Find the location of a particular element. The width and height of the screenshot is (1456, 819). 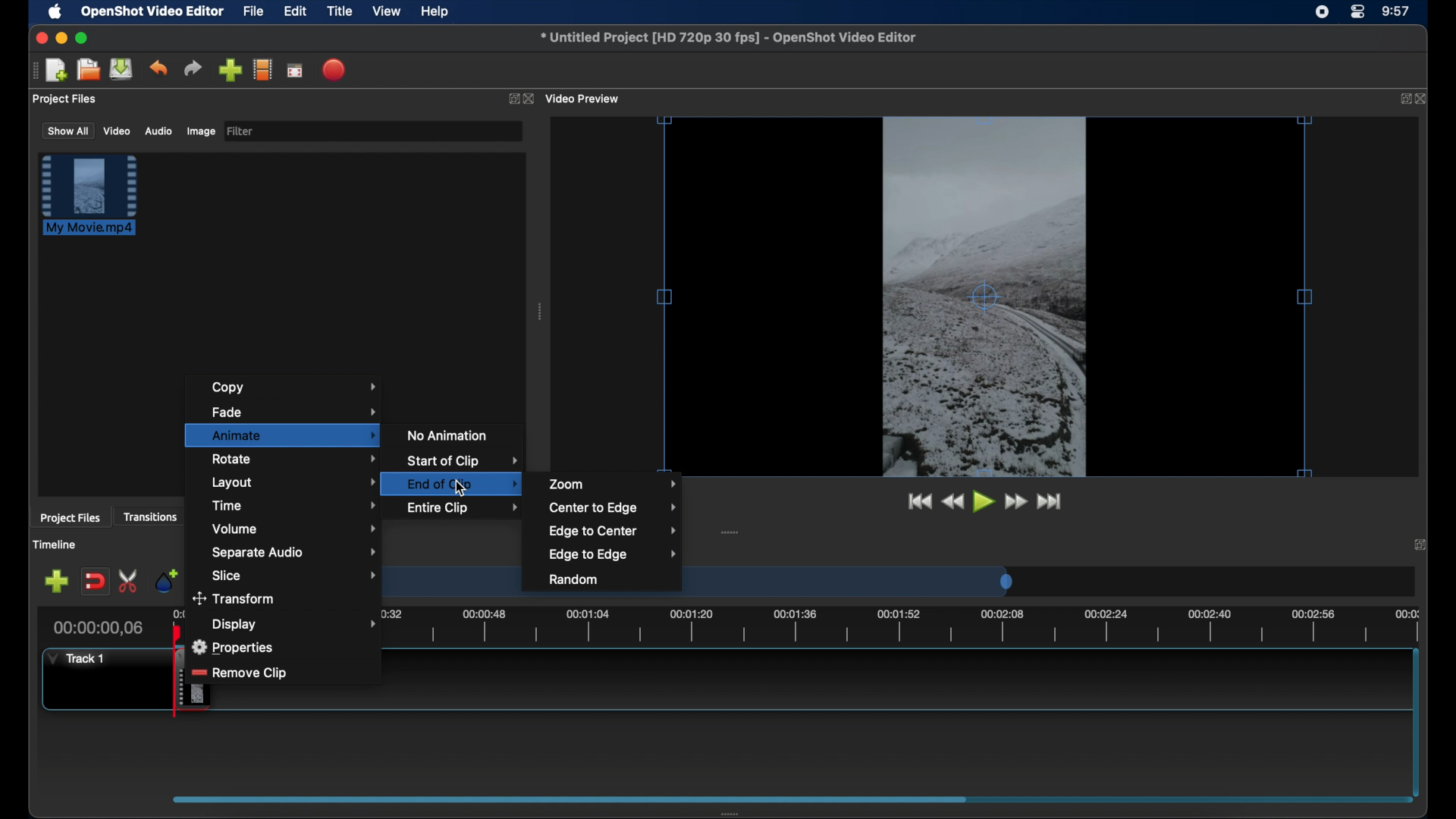

rotate menu is located at coordinates (295, 458).